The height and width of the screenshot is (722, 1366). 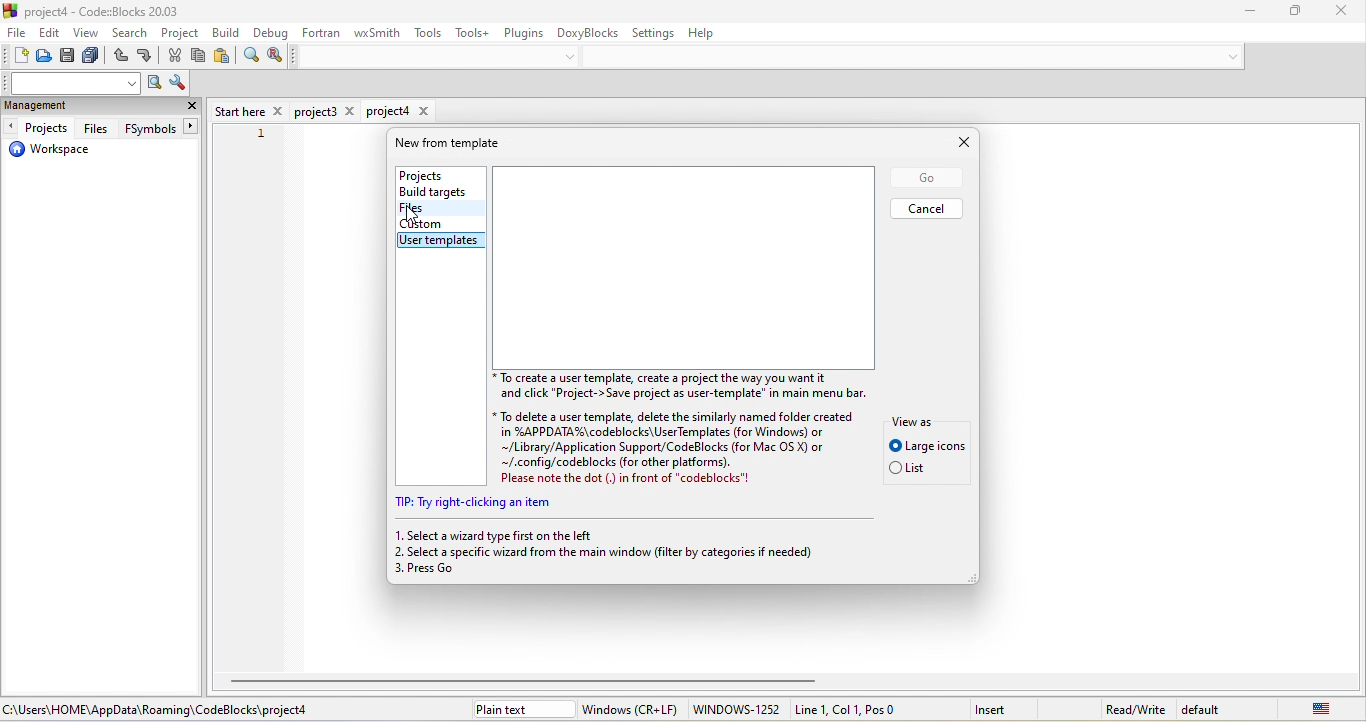 I want to click on select a specific wizard from the main window, so click(x=620, y=552).